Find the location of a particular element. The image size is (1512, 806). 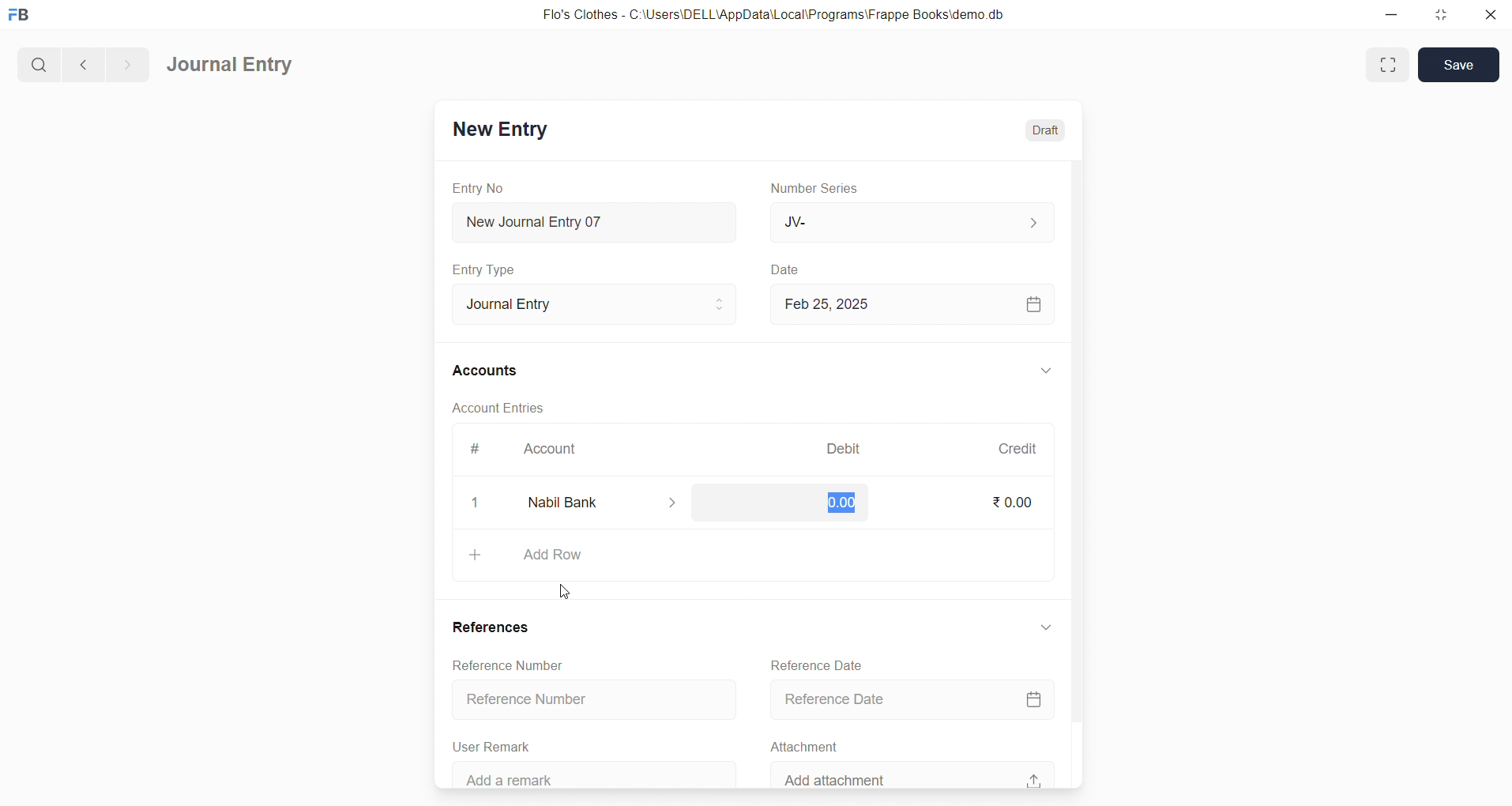

JV- is located at coordinates (910, 223).